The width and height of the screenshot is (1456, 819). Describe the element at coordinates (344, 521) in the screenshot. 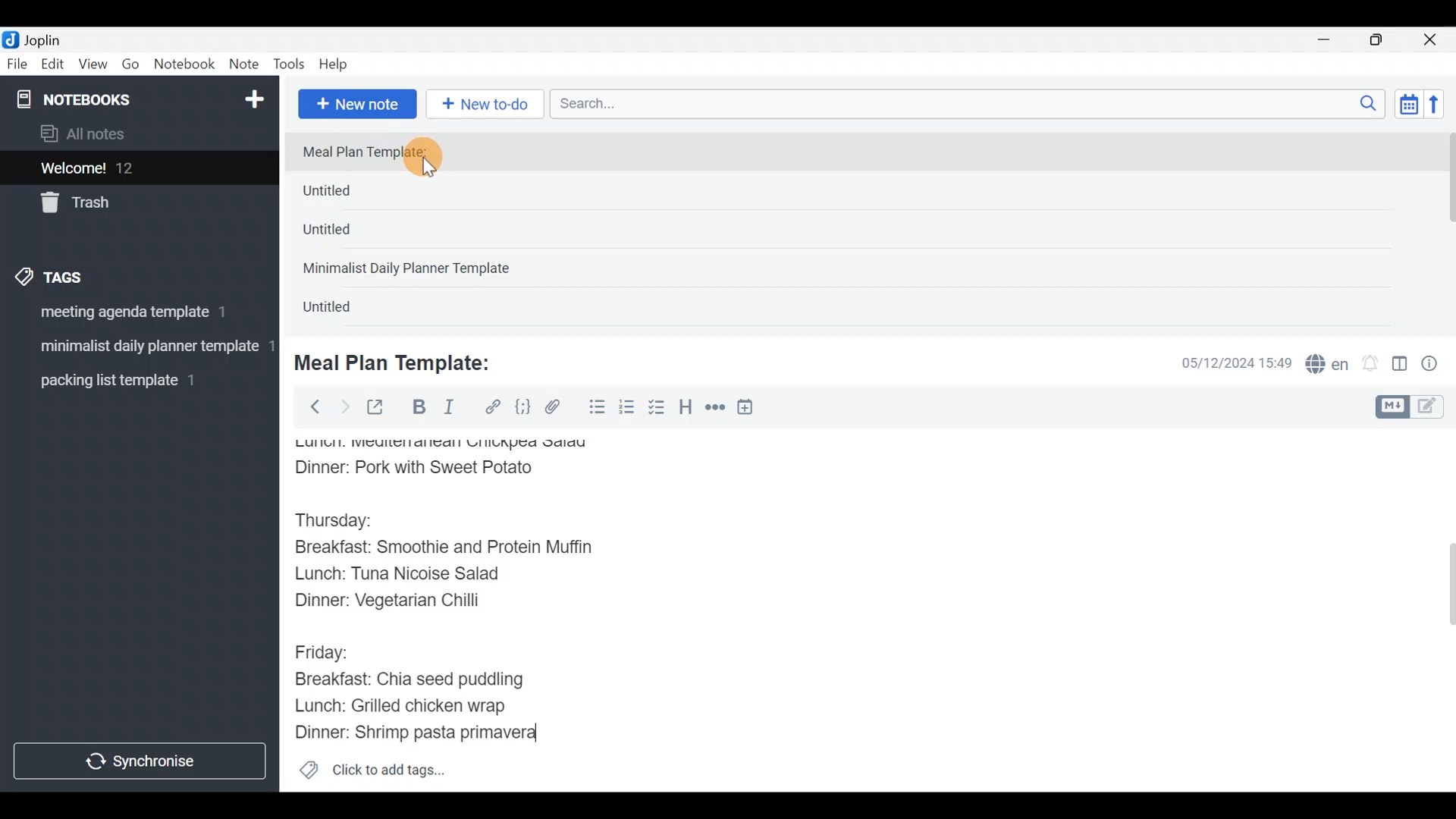

I see `Thursday:` at that location.